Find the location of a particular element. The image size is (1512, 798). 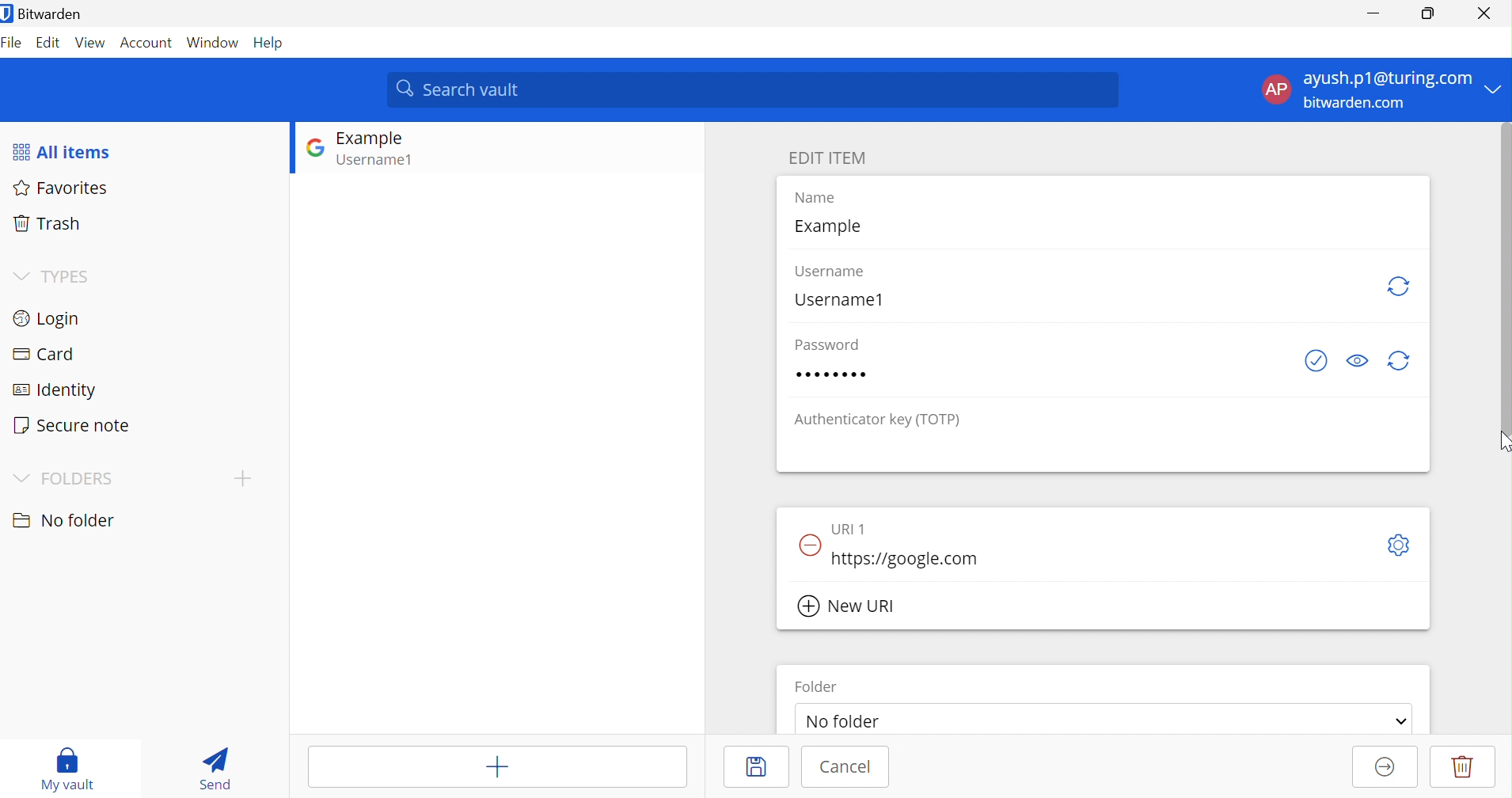

Secure note is located at coordinates (73, 424).